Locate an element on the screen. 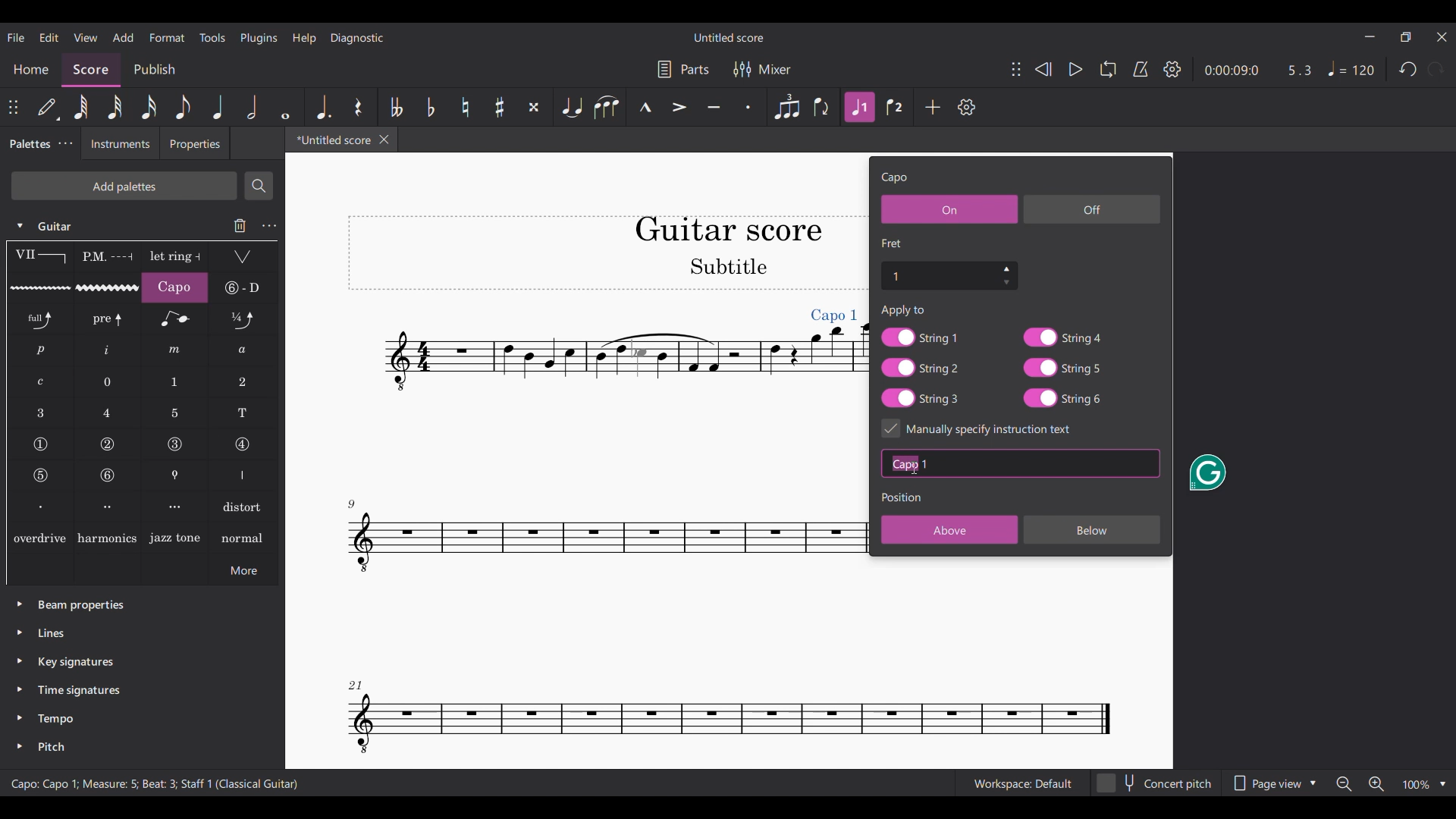 This screenshot has width=1456, height=819. Tuplet is located at coordinates (786, 107).